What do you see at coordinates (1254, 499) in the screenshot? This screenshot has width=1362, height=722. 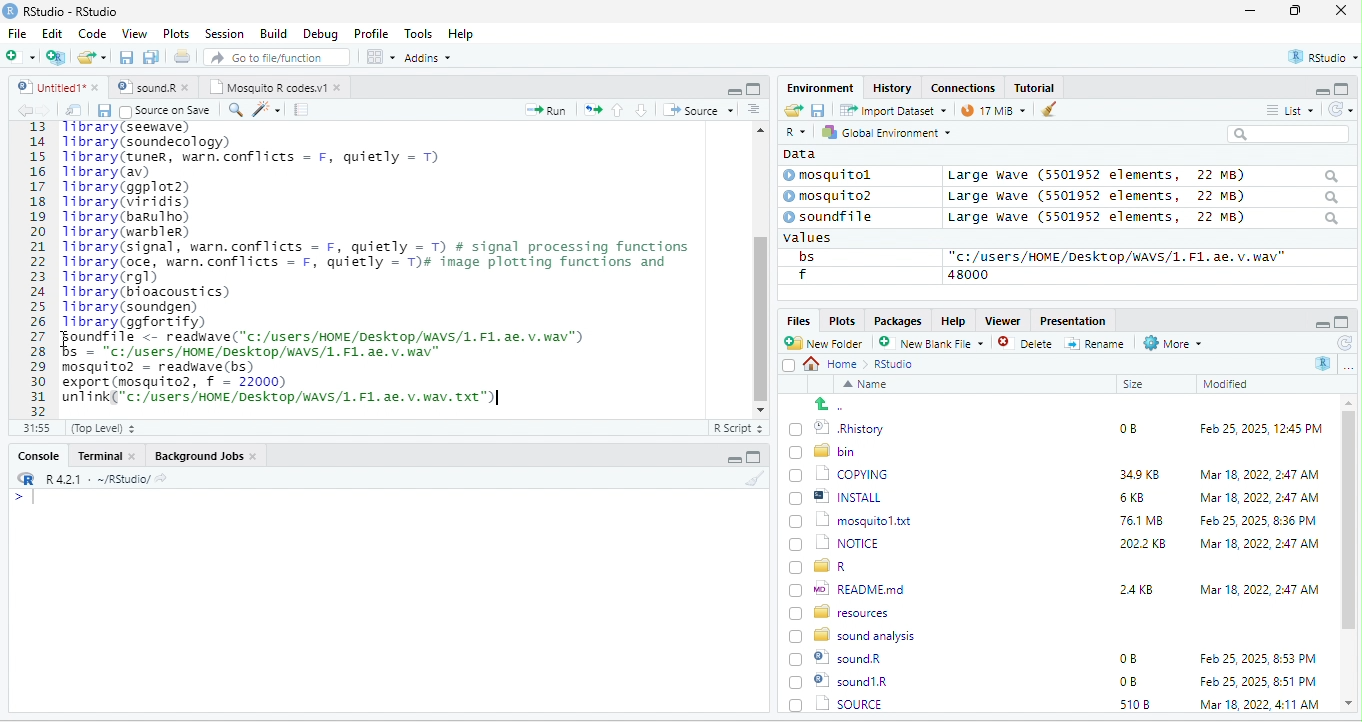 I see `Mar 18, 2022, 2:47 AM` at bounding box center [1254, 499].